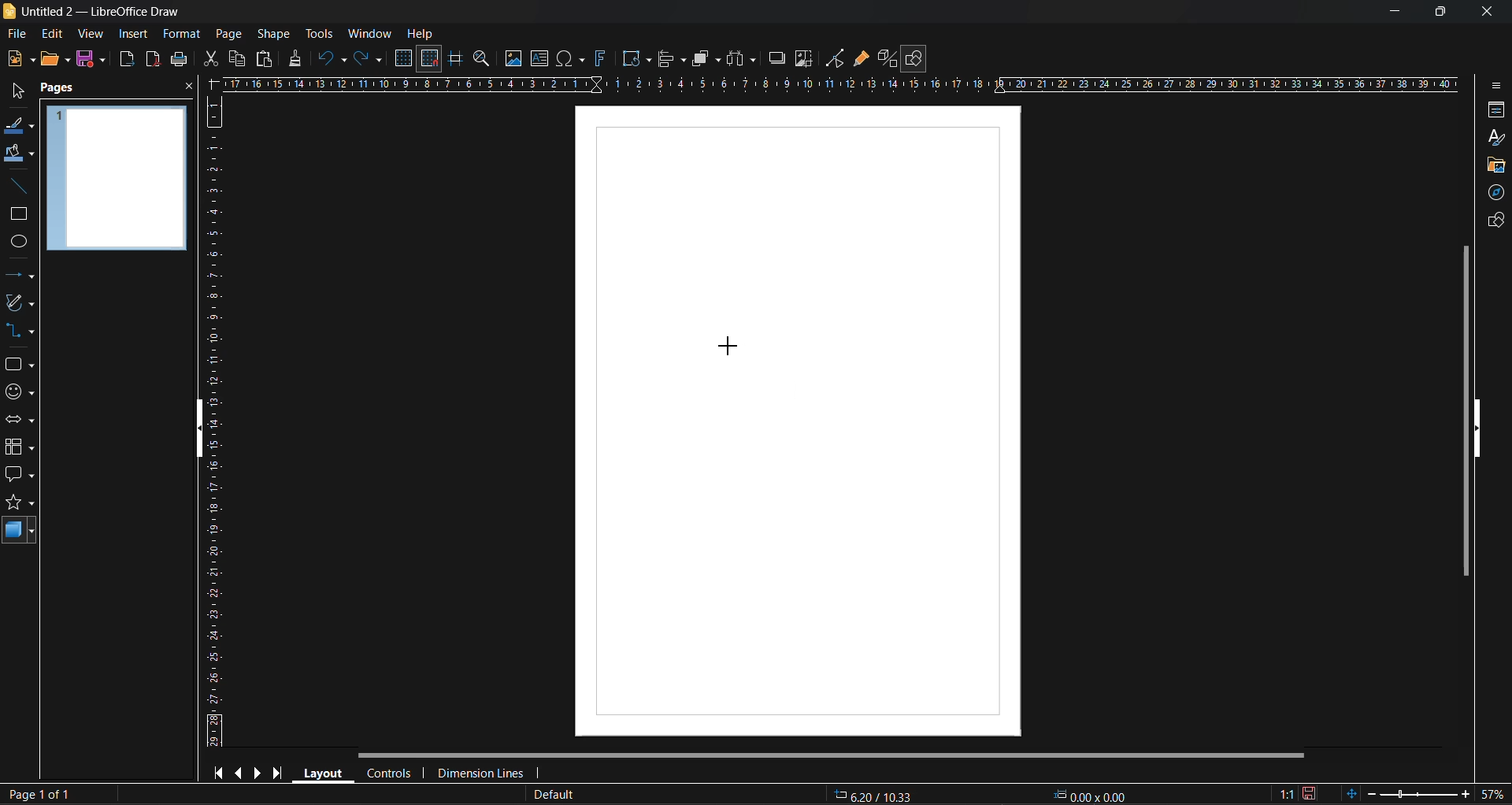  I want to click on pages, so click(62, 88).